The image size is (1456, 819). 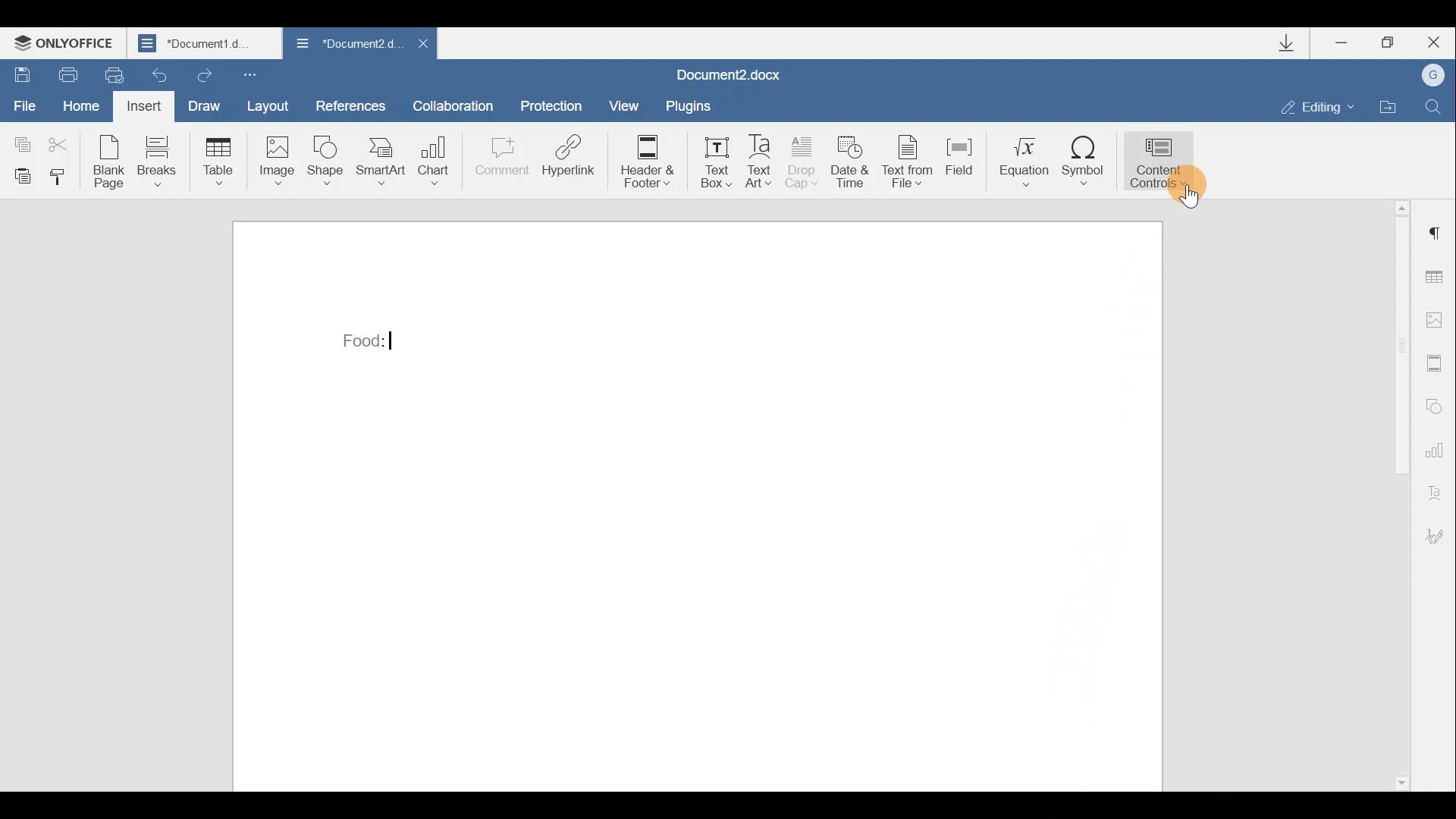 I want to click on Draw, so click(x=202, y=104).